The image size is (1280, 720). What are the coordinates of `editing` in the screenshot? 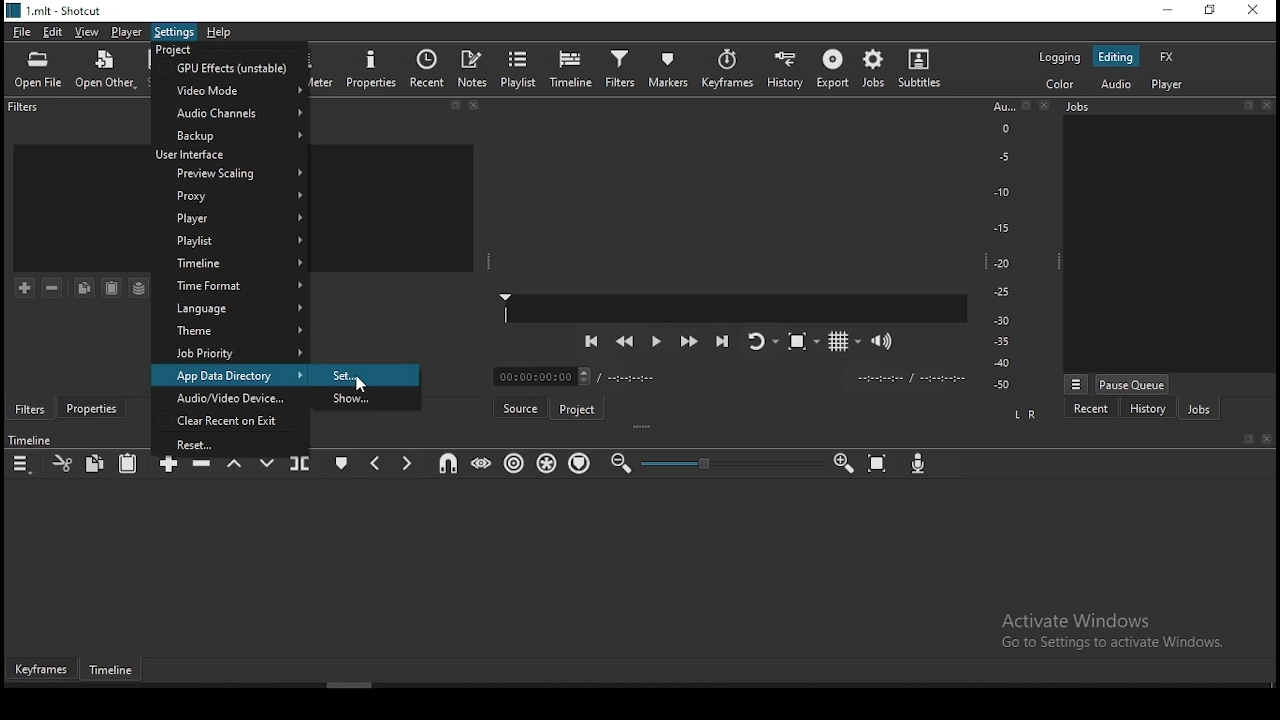 It's located at (1119, 57).